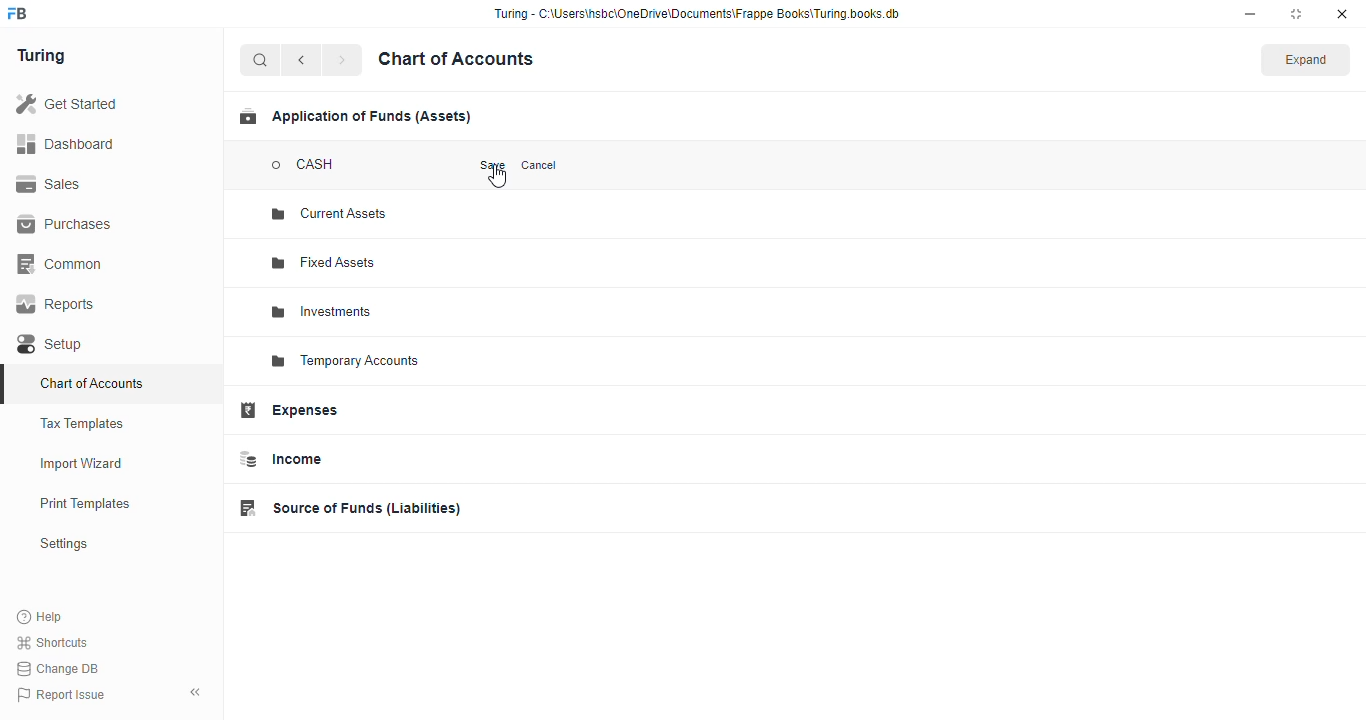 Image resolution: width=1366 pixels, height=720 pixels. I want to click on logo, so click(18, 13).